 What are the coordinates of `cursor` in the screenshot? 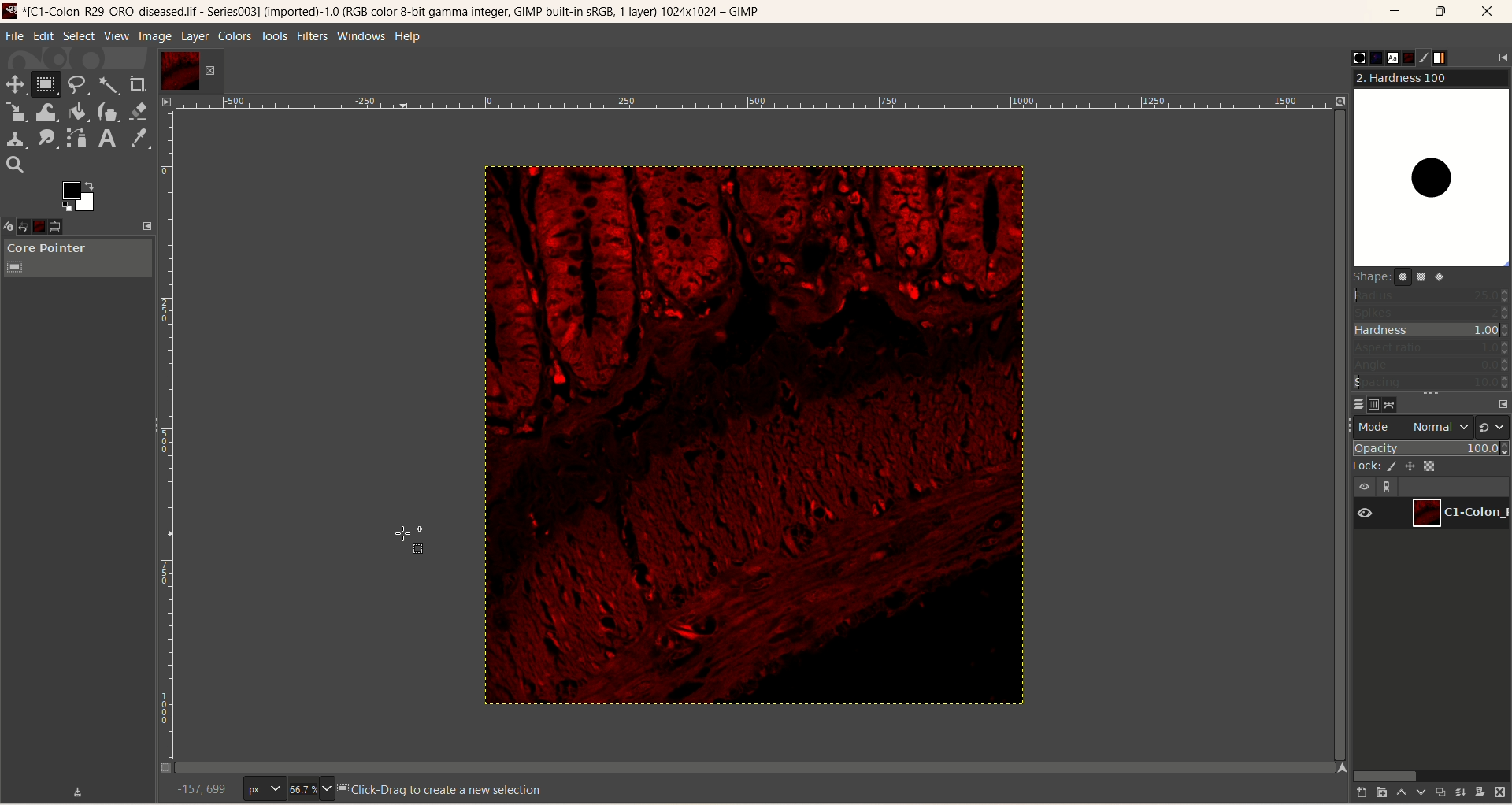 It's located at (404, 539).